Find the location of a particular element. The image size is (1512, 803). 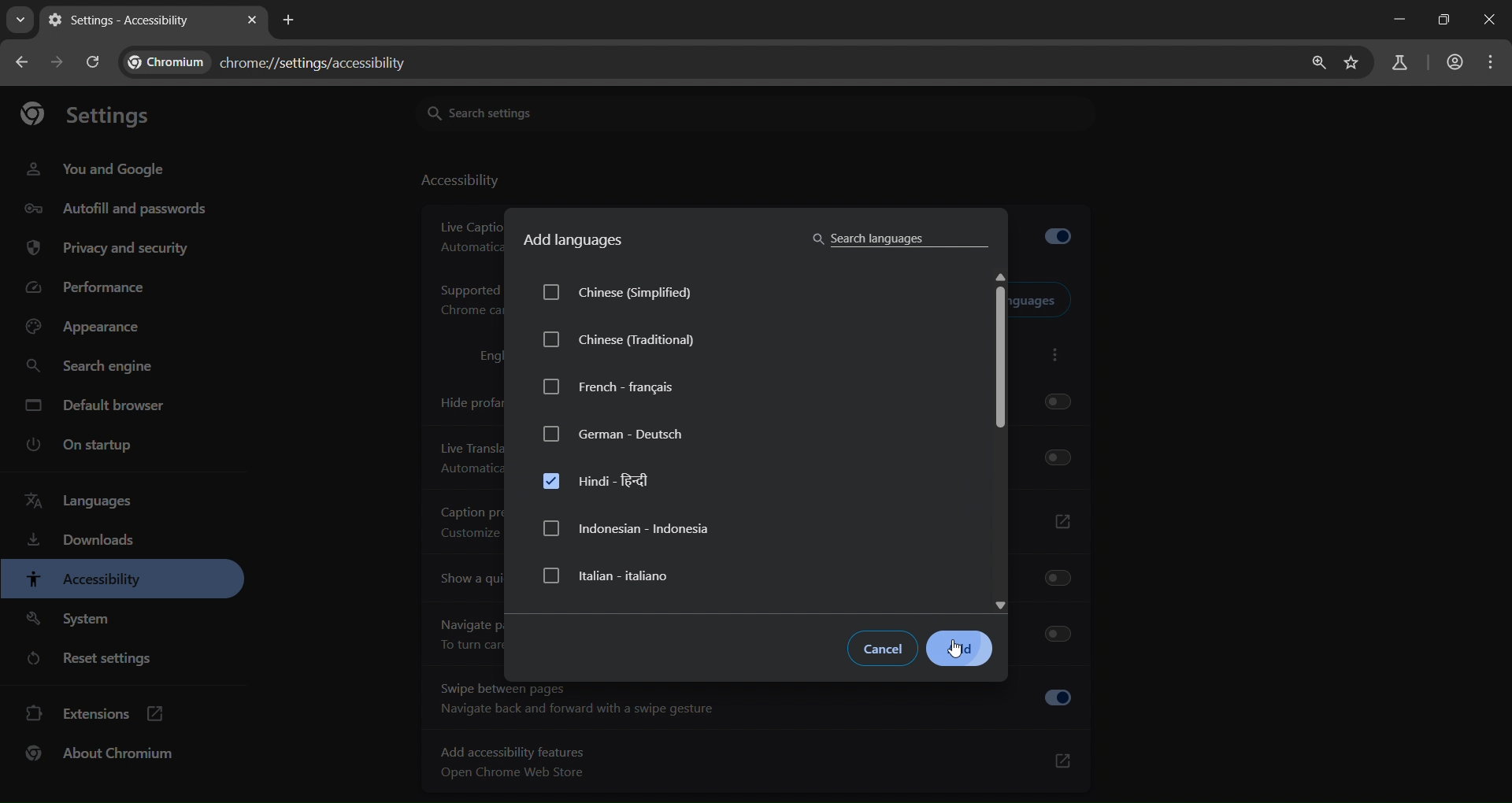

new tab is located at coordinates (291, 21).